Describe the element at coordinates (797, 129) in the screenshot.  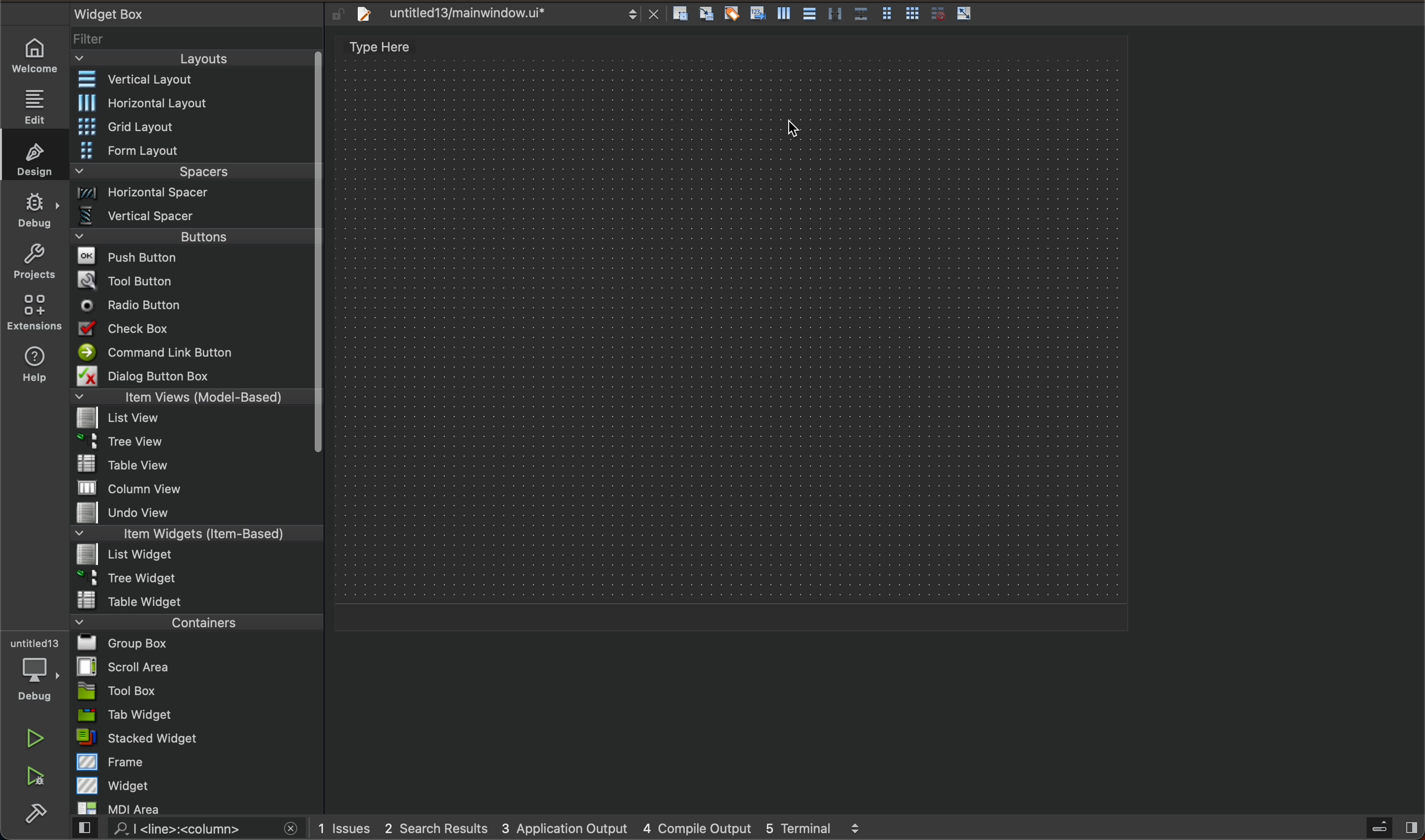
I see `clicked on main layout` at that location.